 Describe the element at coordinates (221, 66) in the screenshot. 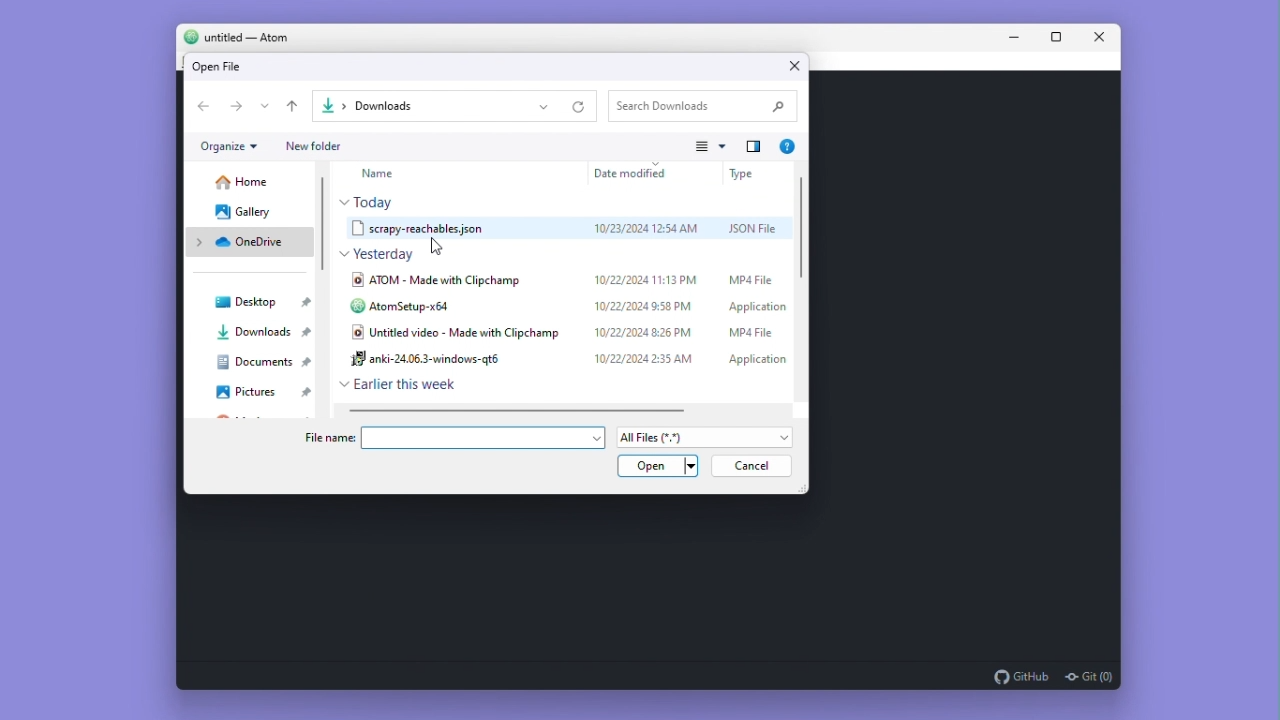

I see `Open file` at that location.